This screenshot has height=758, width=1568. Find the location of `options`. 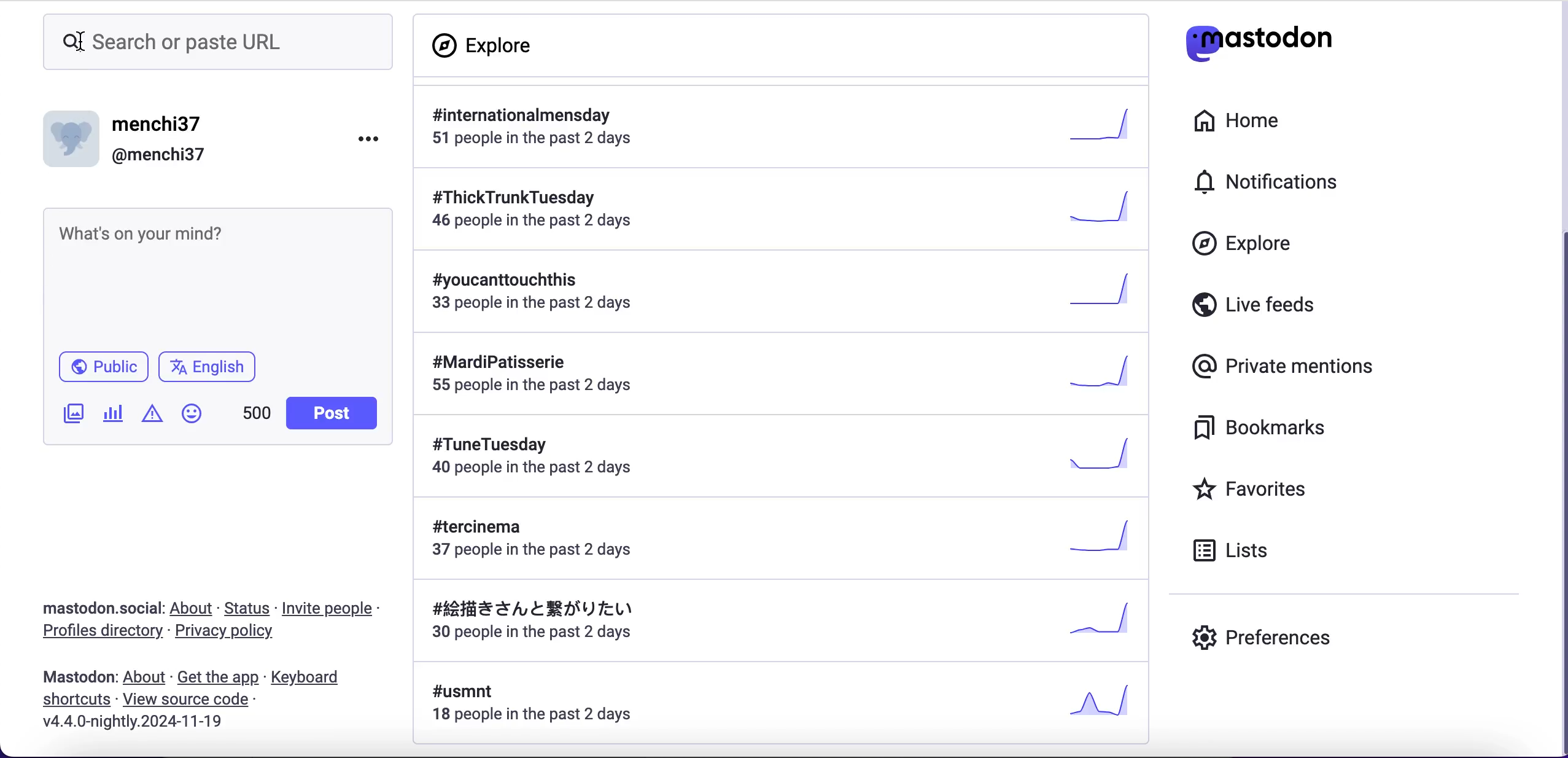

options is located at coordinates (370, 138).